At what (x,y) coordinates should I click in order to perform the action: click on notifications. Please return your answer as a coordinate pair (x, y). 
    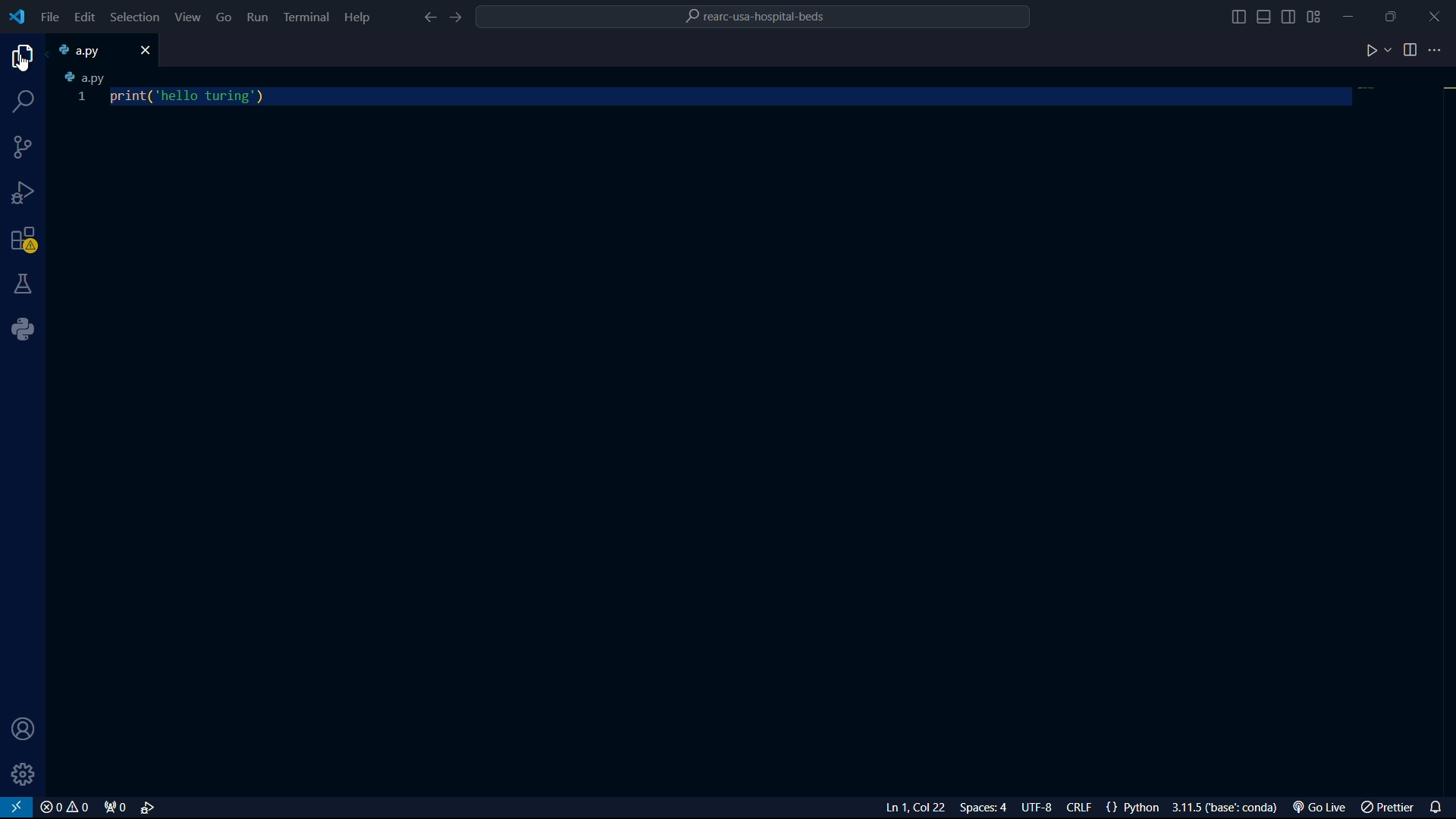
    Looking at the image, I should click on (1438, 807).